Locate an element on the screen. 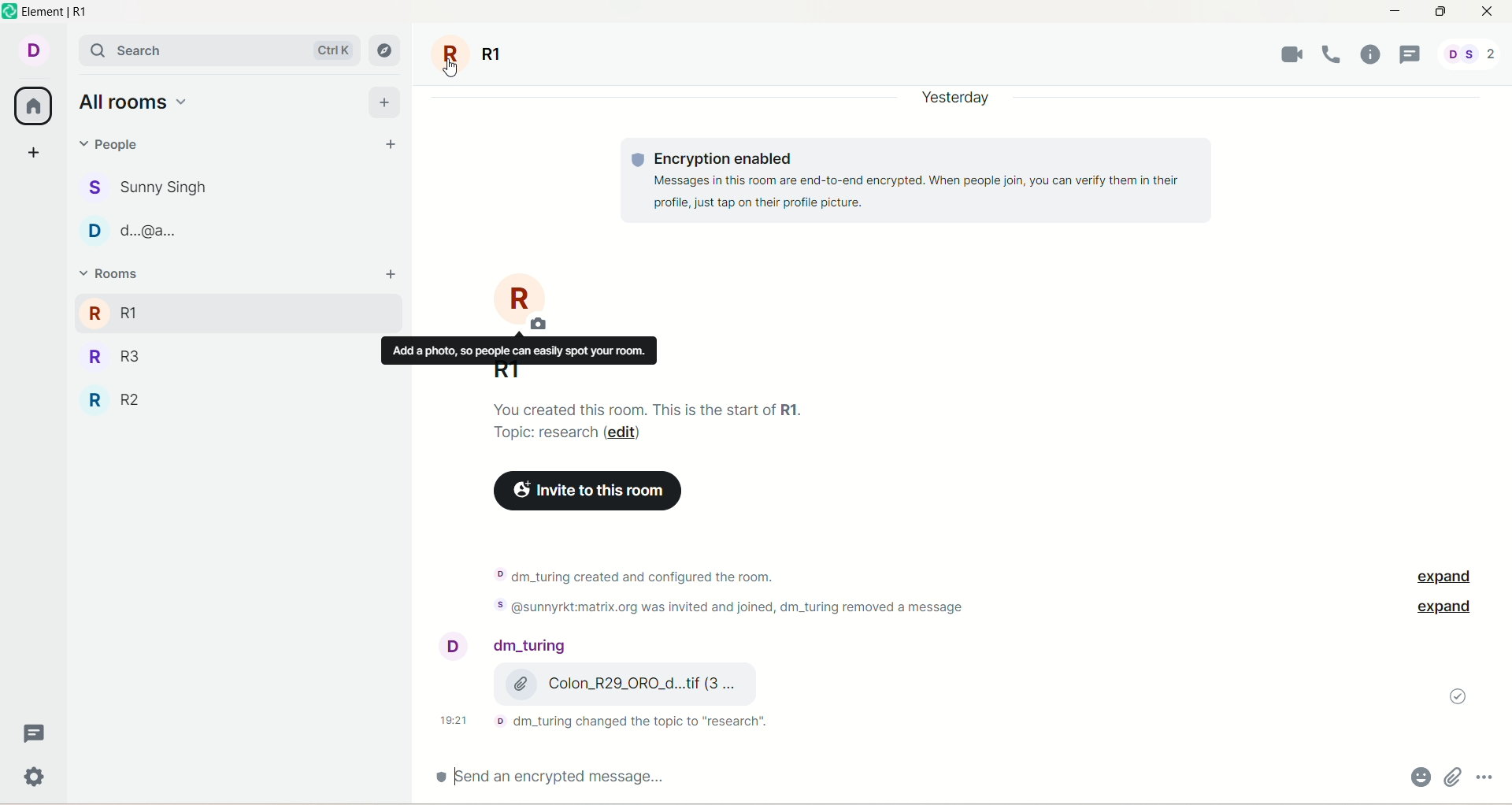 The height and width of the screenshot is (805, 1512). people is located at coordinates (154, 230).